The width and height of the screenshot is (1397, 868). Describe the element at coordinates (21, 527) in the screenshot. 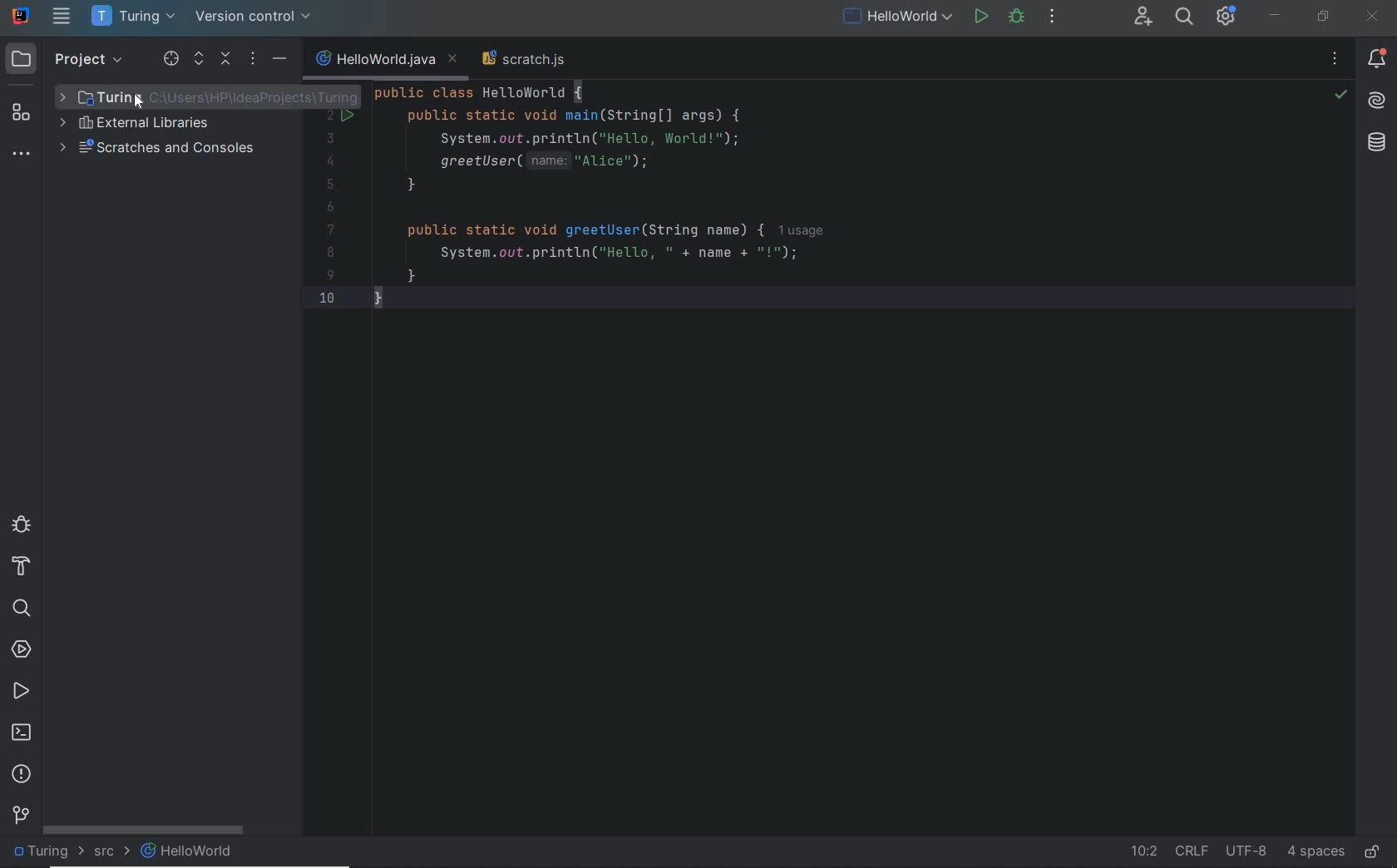

I see `debug` at that location.